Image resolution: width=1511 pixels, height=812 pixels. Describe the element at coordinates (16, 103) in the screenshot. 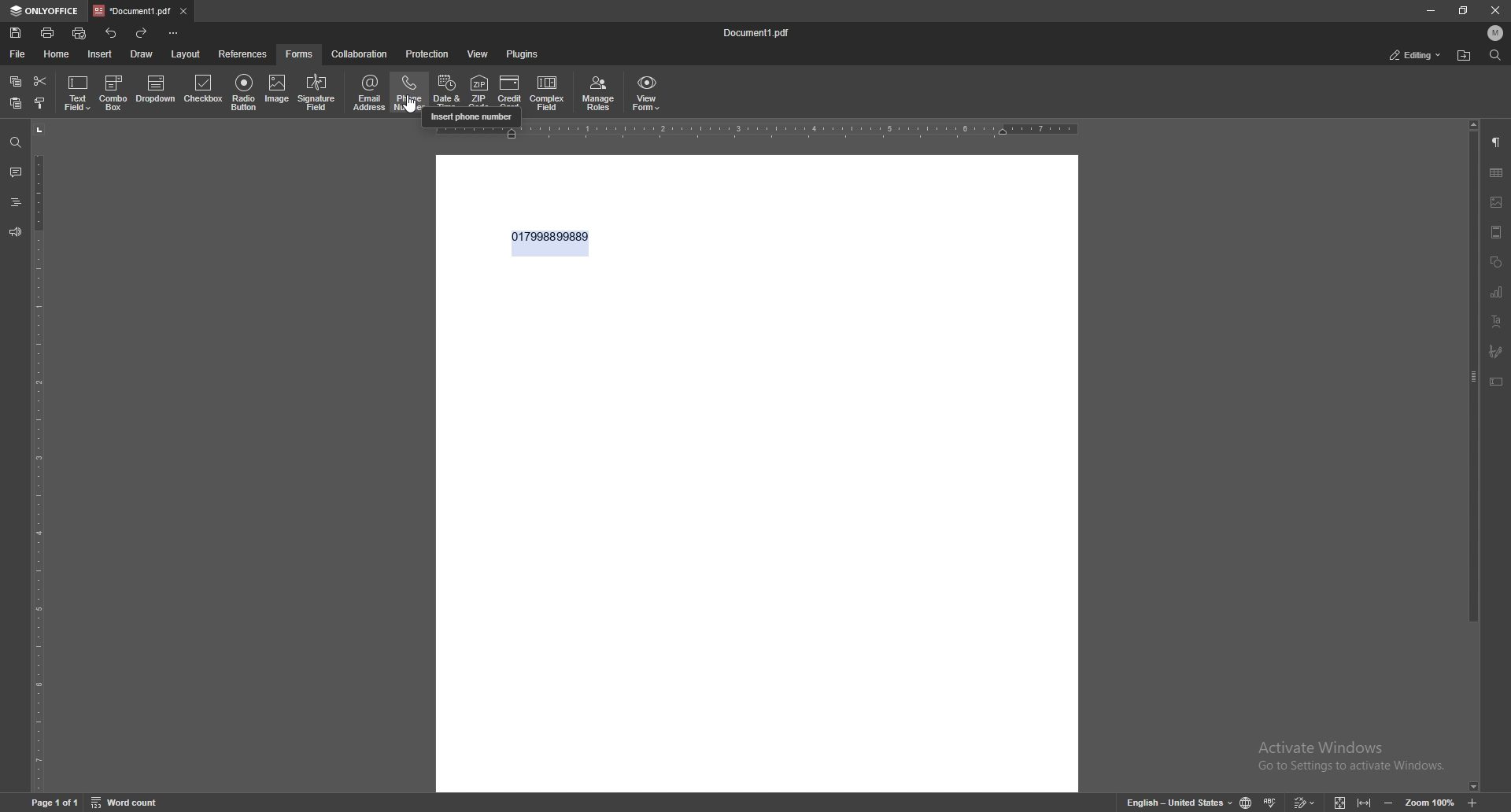

I see `paste` at that location.